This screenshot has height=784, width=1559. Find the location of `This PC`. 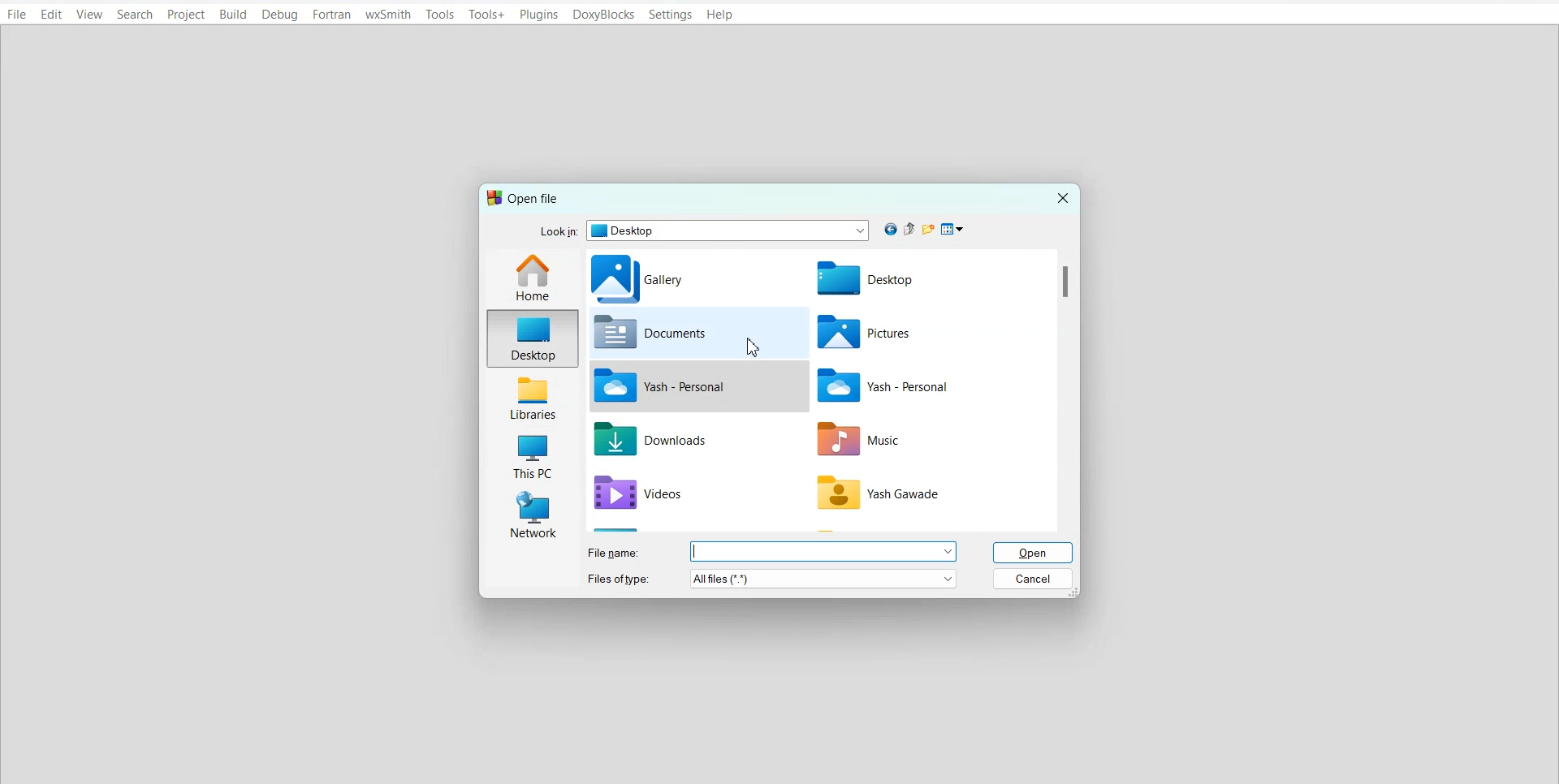

This PC is located at coordinates (529, 456).